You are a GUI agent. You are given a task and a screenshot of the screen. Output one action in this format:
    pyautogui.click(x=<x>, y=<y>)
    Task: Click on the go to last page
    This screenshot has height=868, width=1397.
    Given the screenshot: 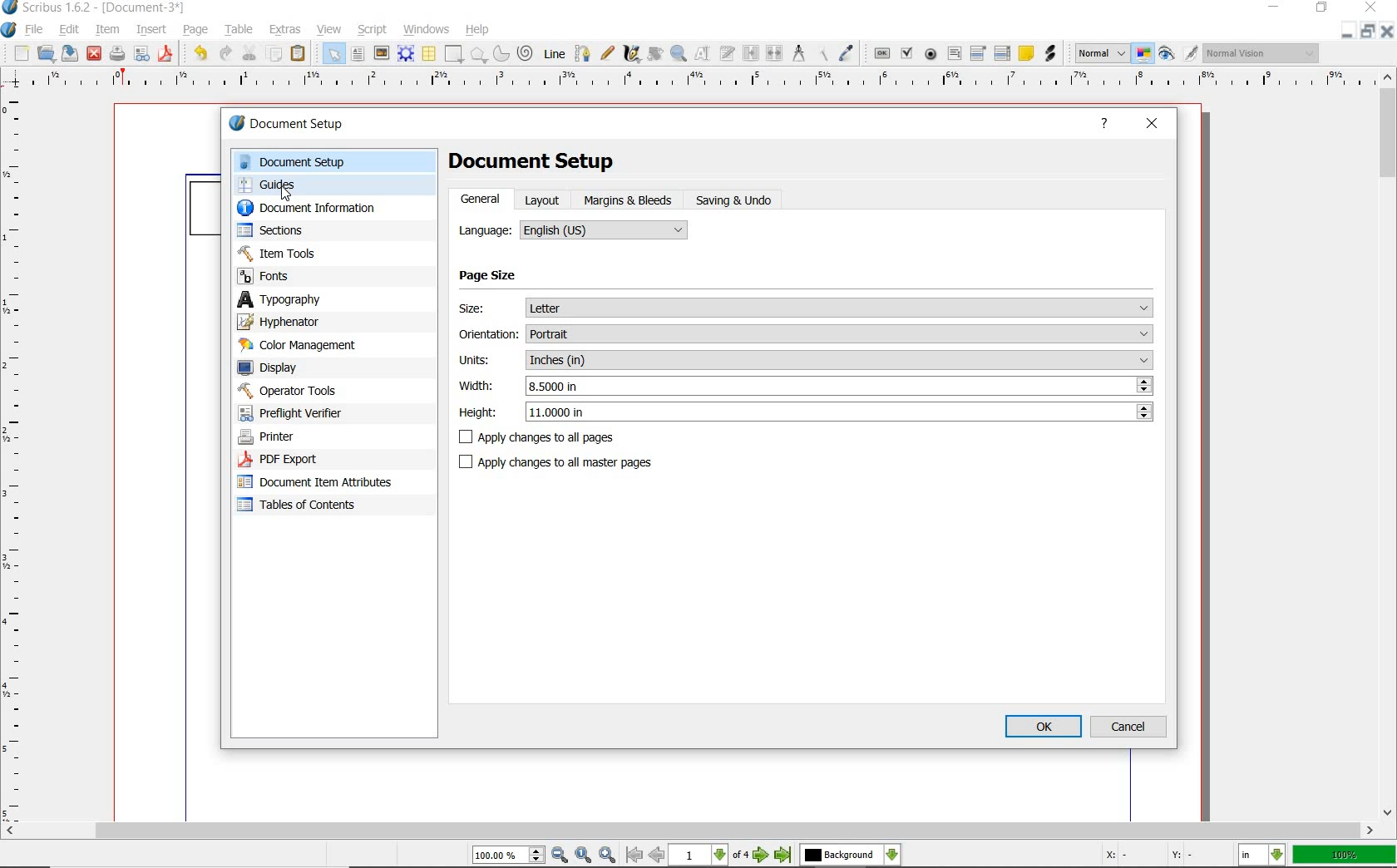 What is the action you would take?
    pyautogui.click(x=783, y=856)
    